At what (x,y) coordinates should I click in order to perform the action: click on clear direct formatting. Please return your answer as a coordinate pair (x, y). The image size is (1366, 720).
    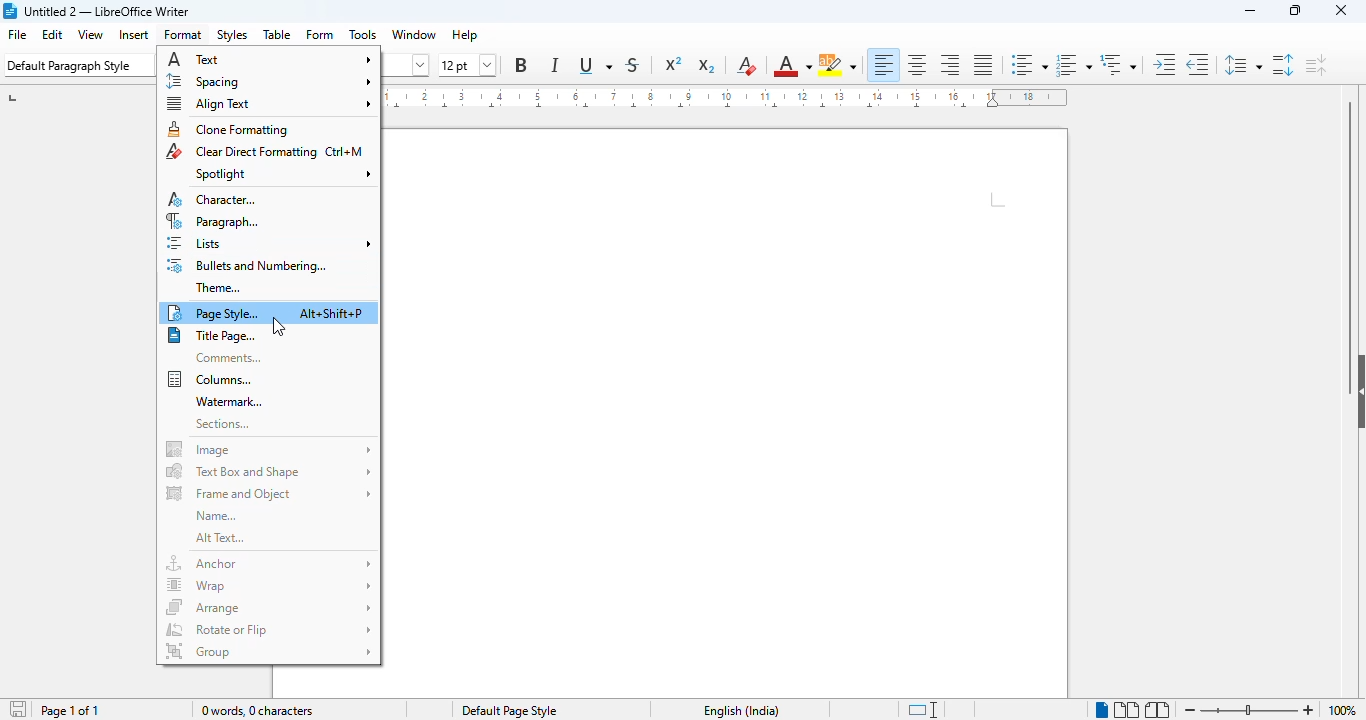
    Looking at the image, I should click on (747, 66).